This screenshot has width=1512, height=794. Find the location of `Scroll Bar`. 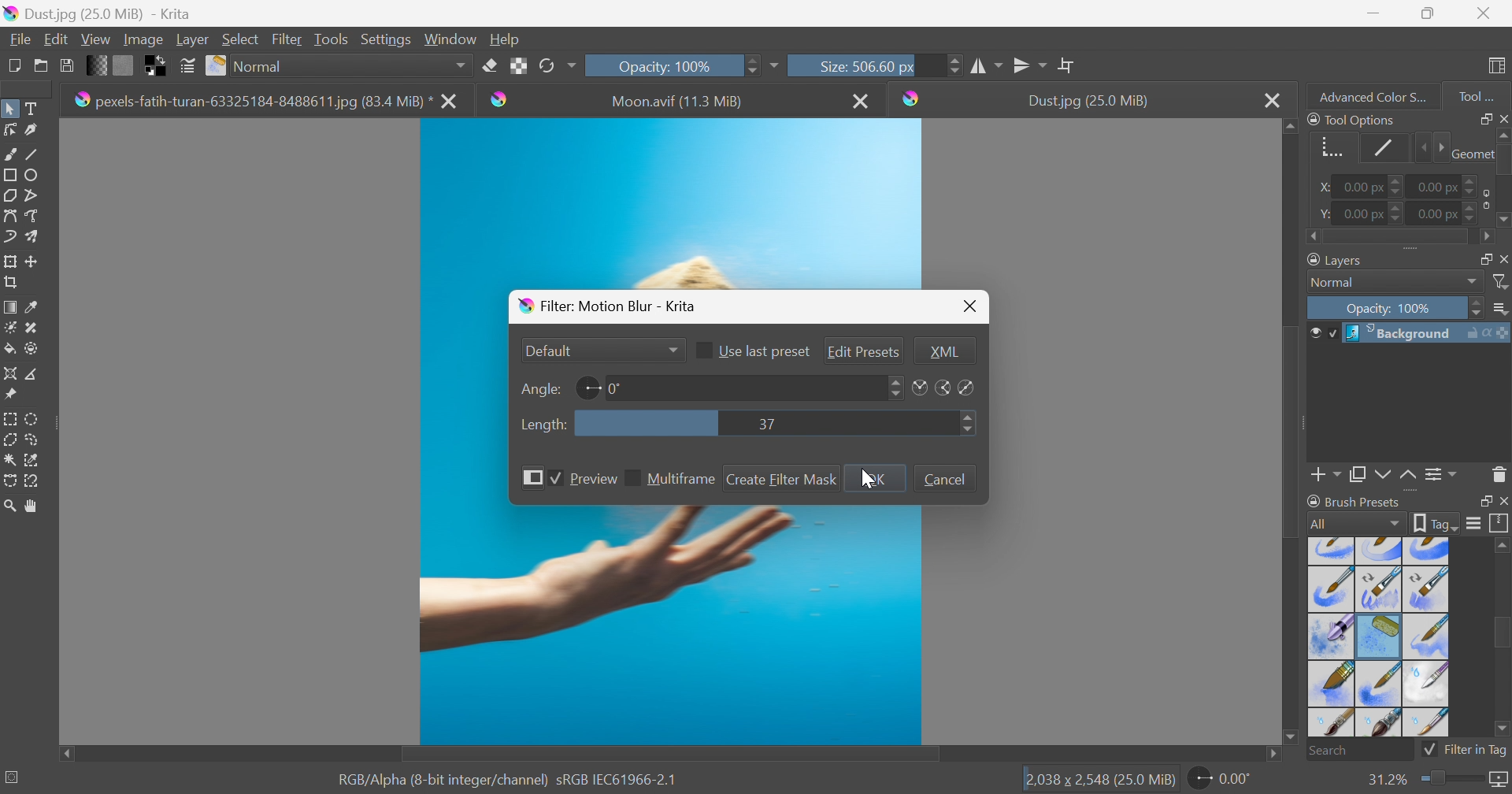

Scroll Bar is located at coordinates (670, 755).